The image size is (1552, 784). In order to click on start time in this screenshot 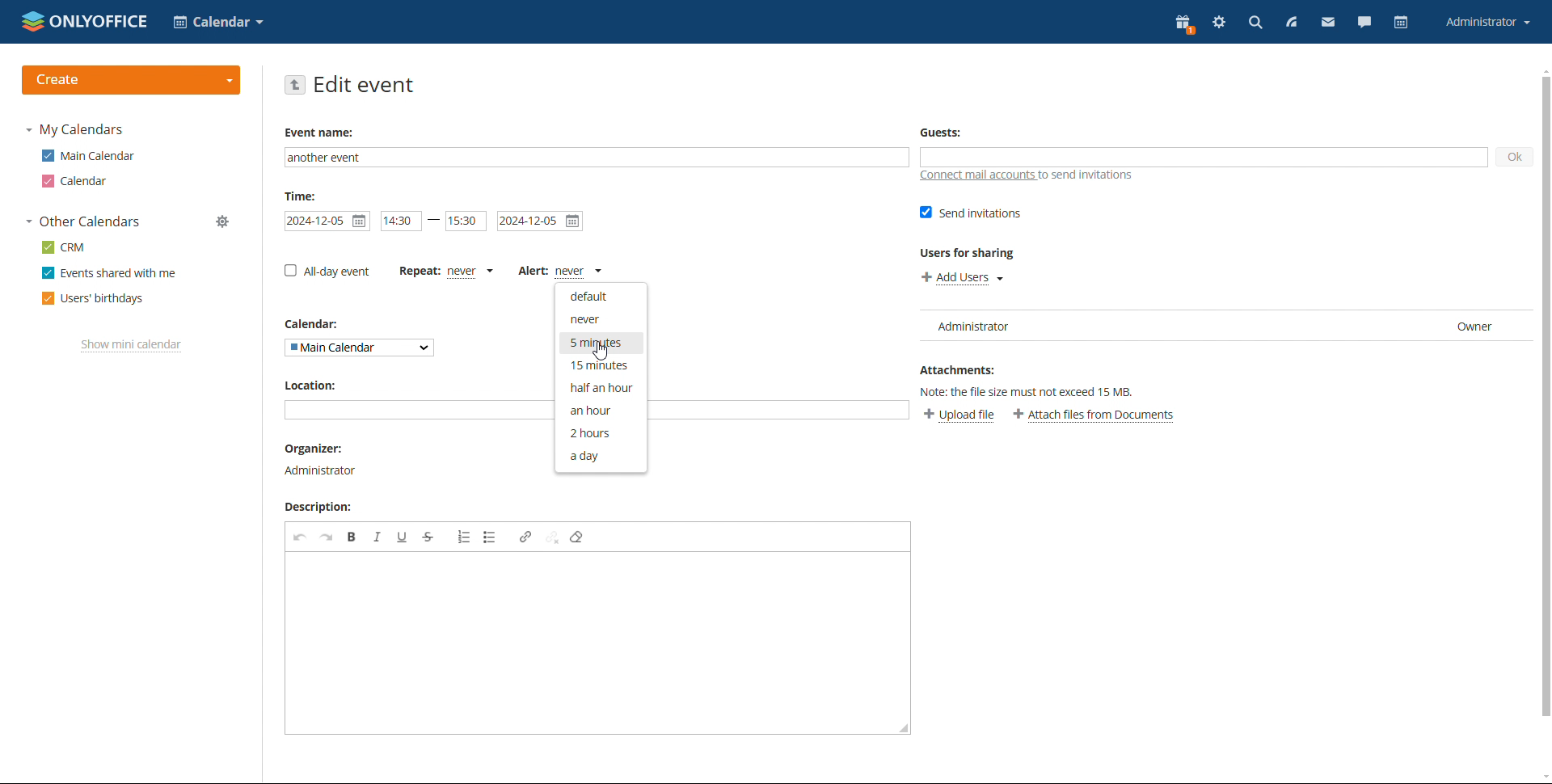, I will do `click(402, 221)`.